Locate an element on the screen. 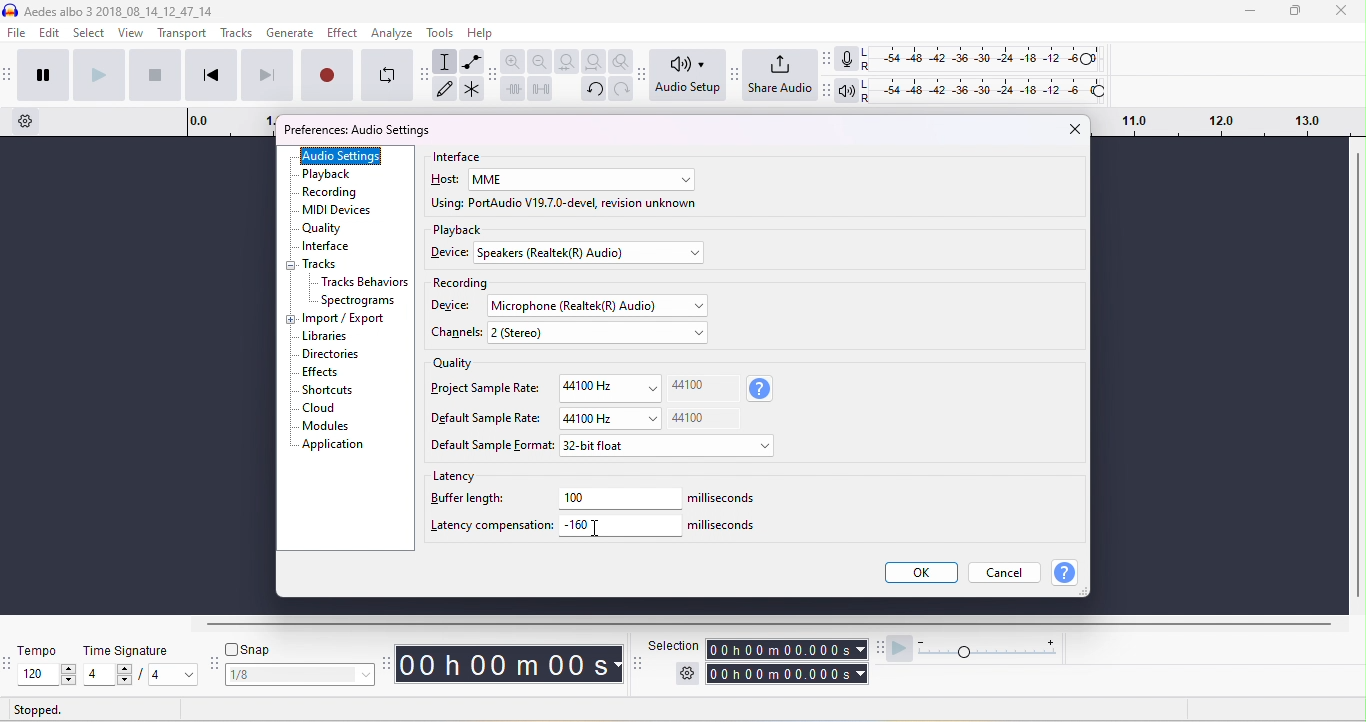 This screenshot has height=722, width=1366. 44100 is located at coordinates (689, 418).